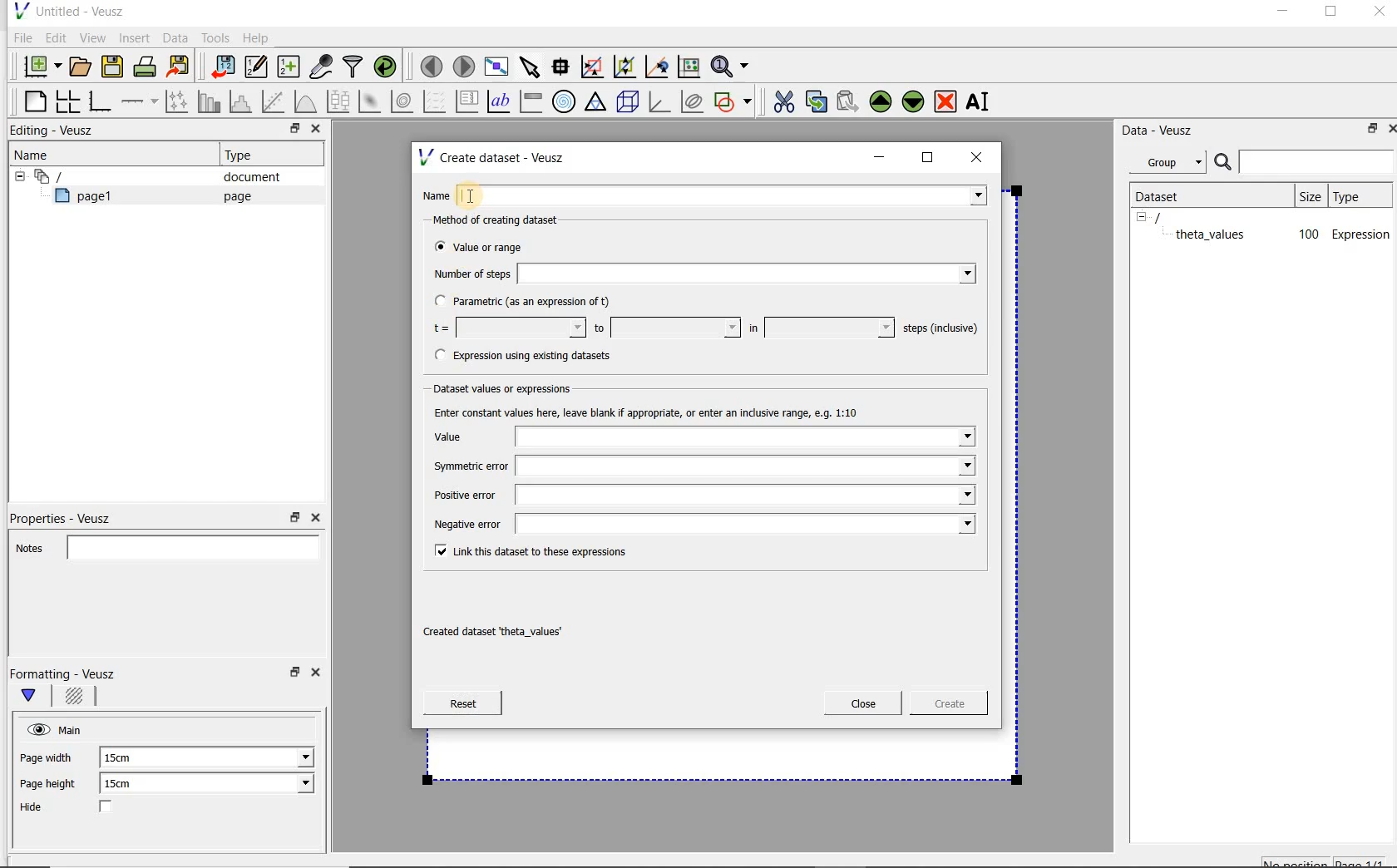 Image resolution: width=1397 pixels, height=868 pixels. I want to click on Close, so click(318, 675).